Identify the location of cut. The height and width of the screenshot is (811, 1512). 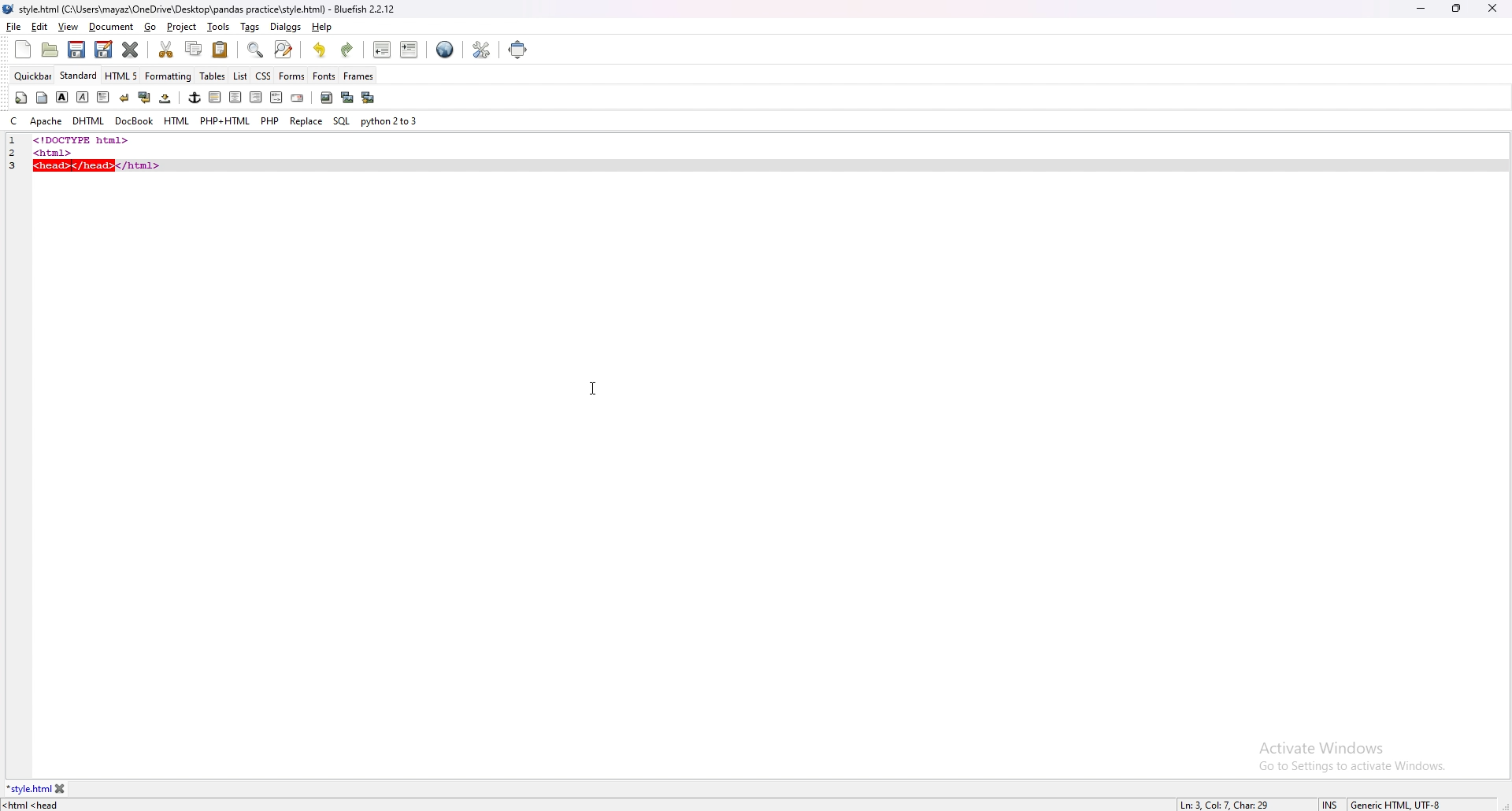
(168, 49).